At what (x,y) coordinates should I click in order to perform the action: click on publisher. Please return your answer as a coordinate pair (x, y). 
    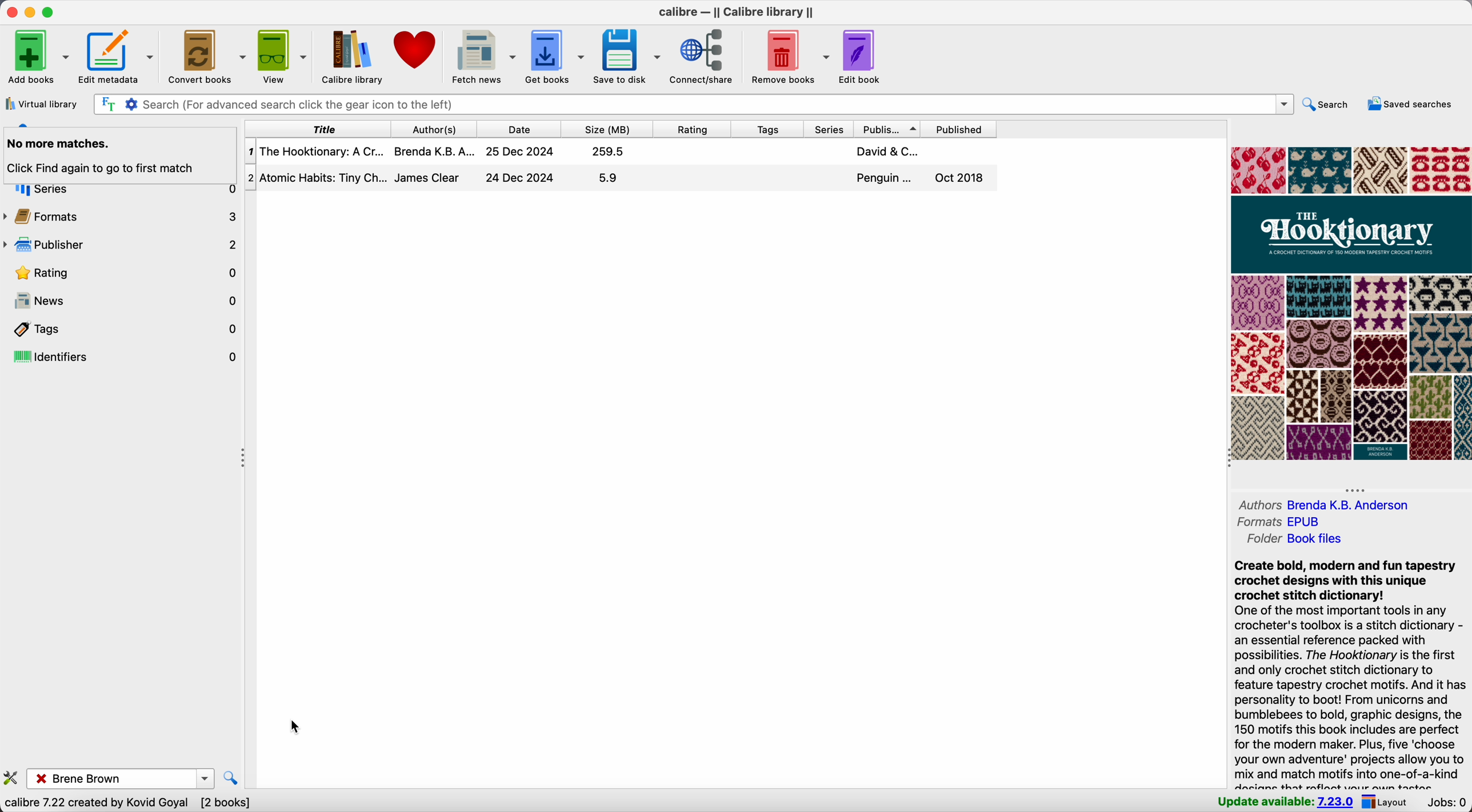
    Looking at the image, I should click on (889, 130).